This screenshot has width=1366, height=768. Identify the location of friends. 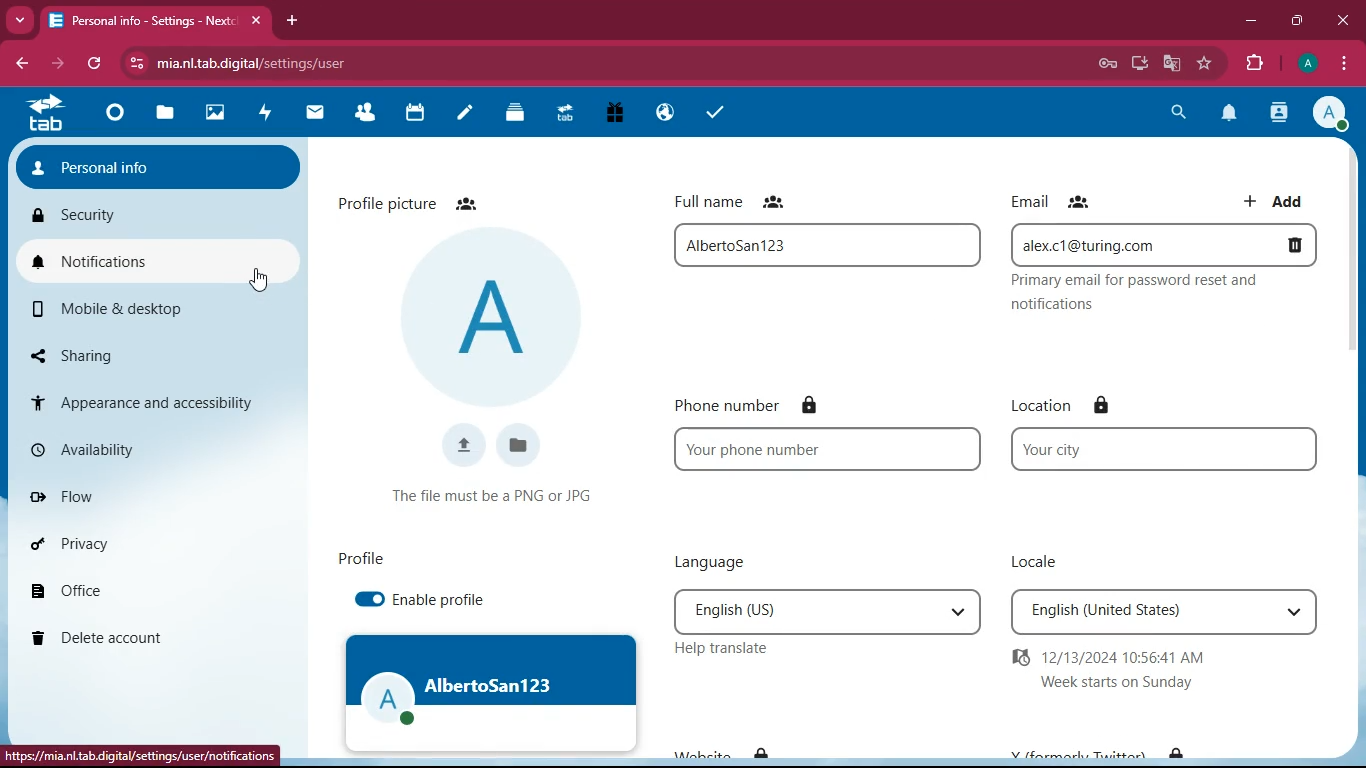
(465, 203).